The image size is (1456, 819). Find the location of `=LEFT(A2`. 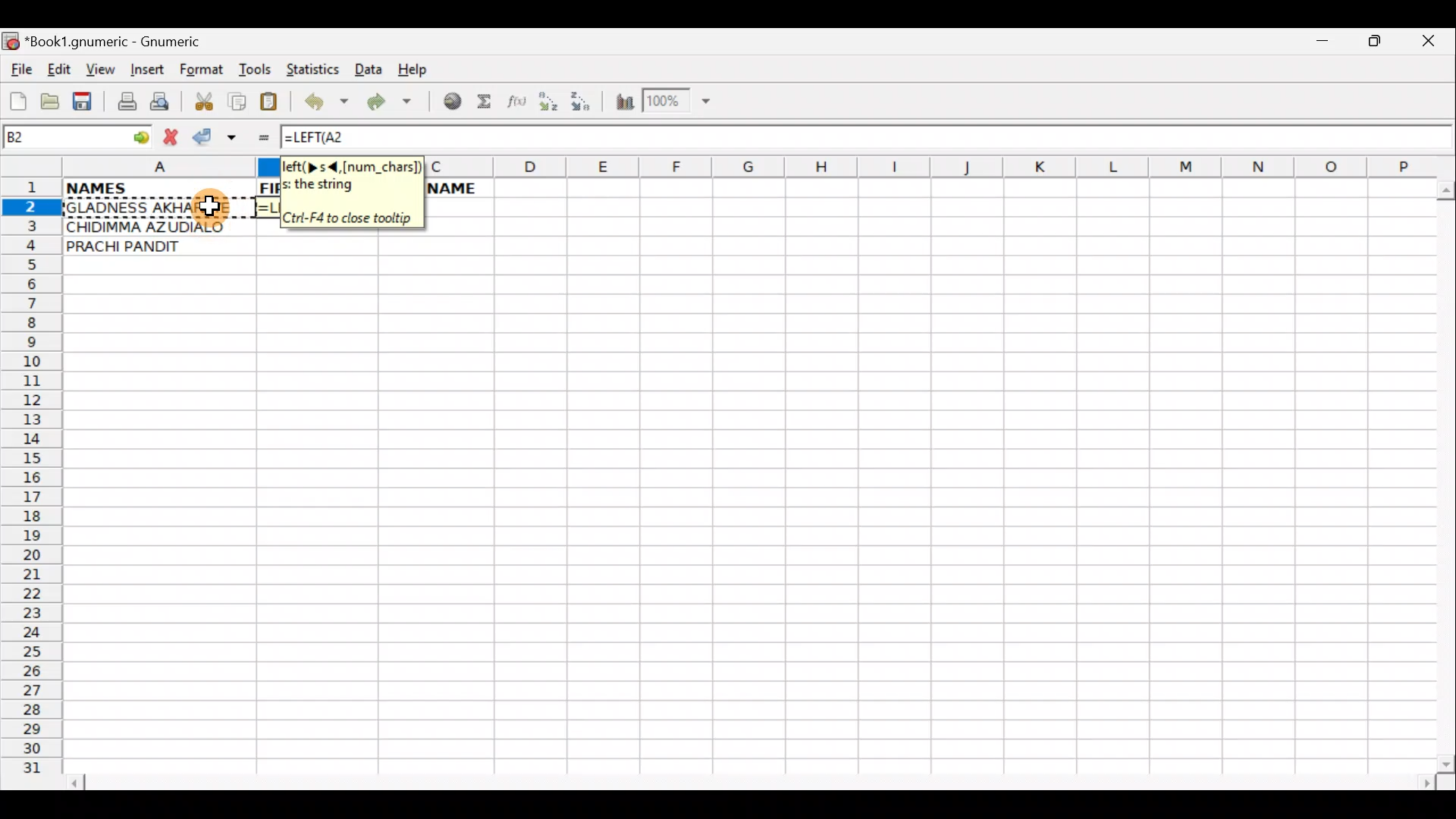

=LEFT(A2 is located at coordinates (332, 139).